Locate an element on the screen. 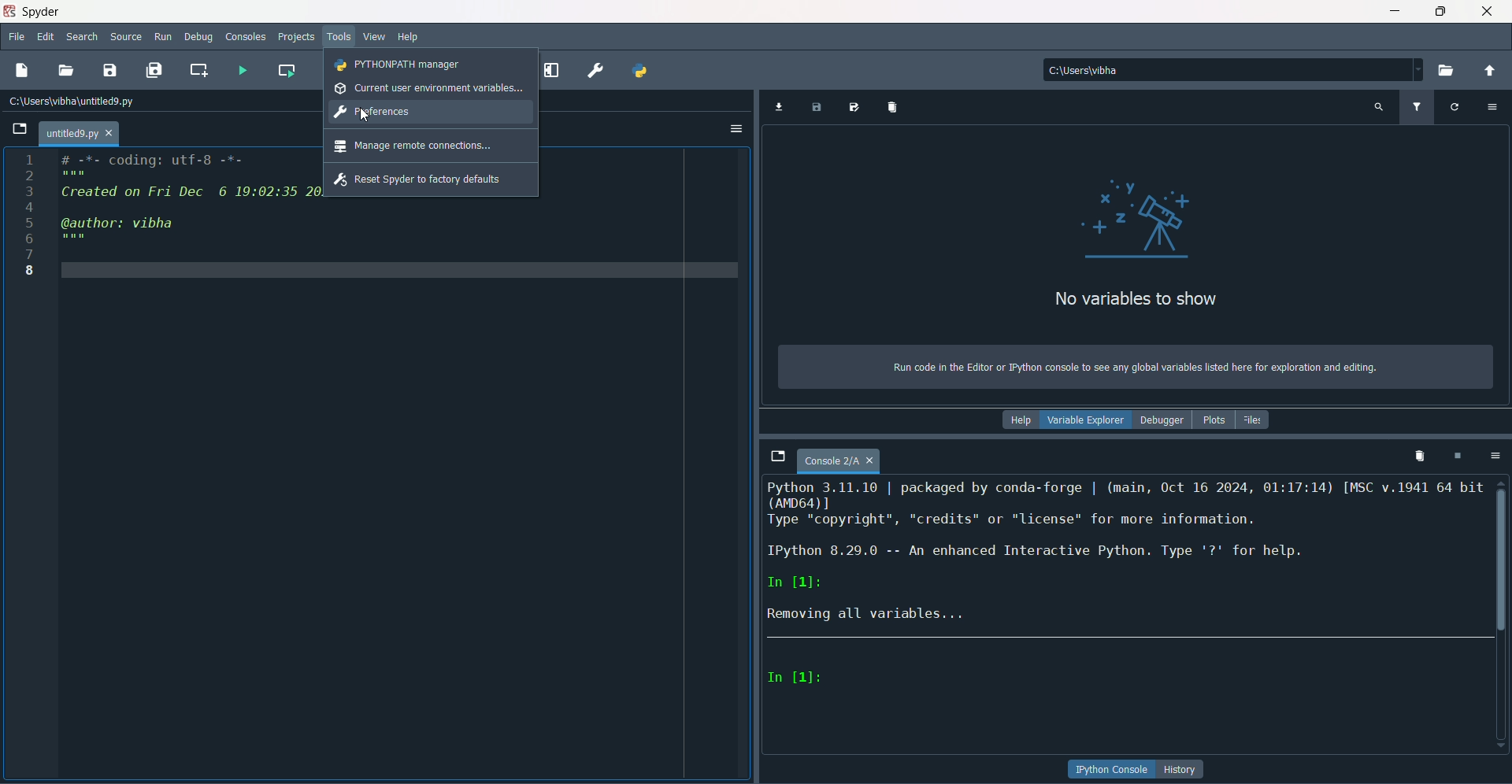 Image resolution: width=1512 pixels, height=784 pixels. reset spyder is located at coordinates (418, 180).